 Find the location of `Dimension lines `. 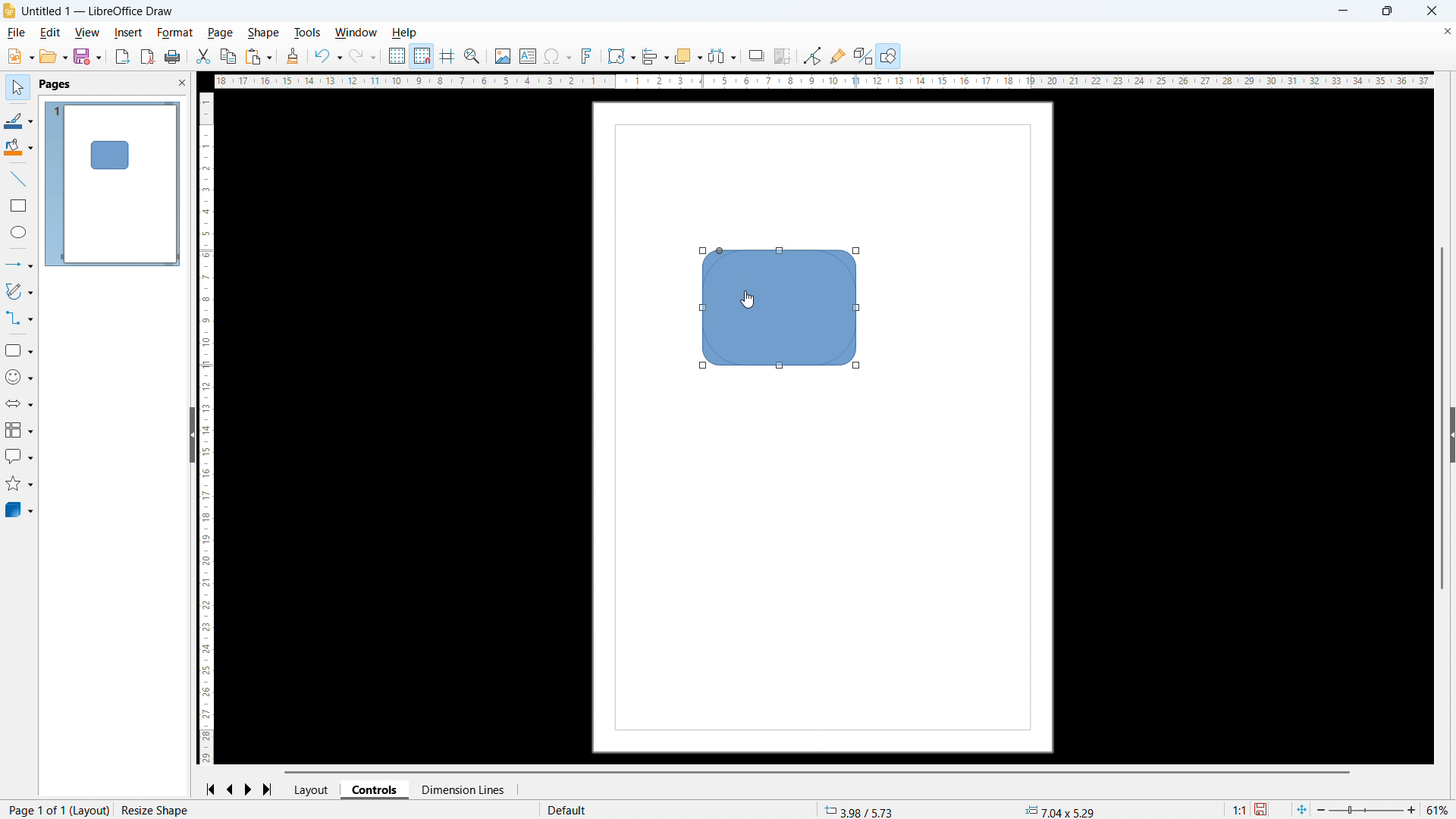

Dimension lines  is located at coordinates (462, 790).